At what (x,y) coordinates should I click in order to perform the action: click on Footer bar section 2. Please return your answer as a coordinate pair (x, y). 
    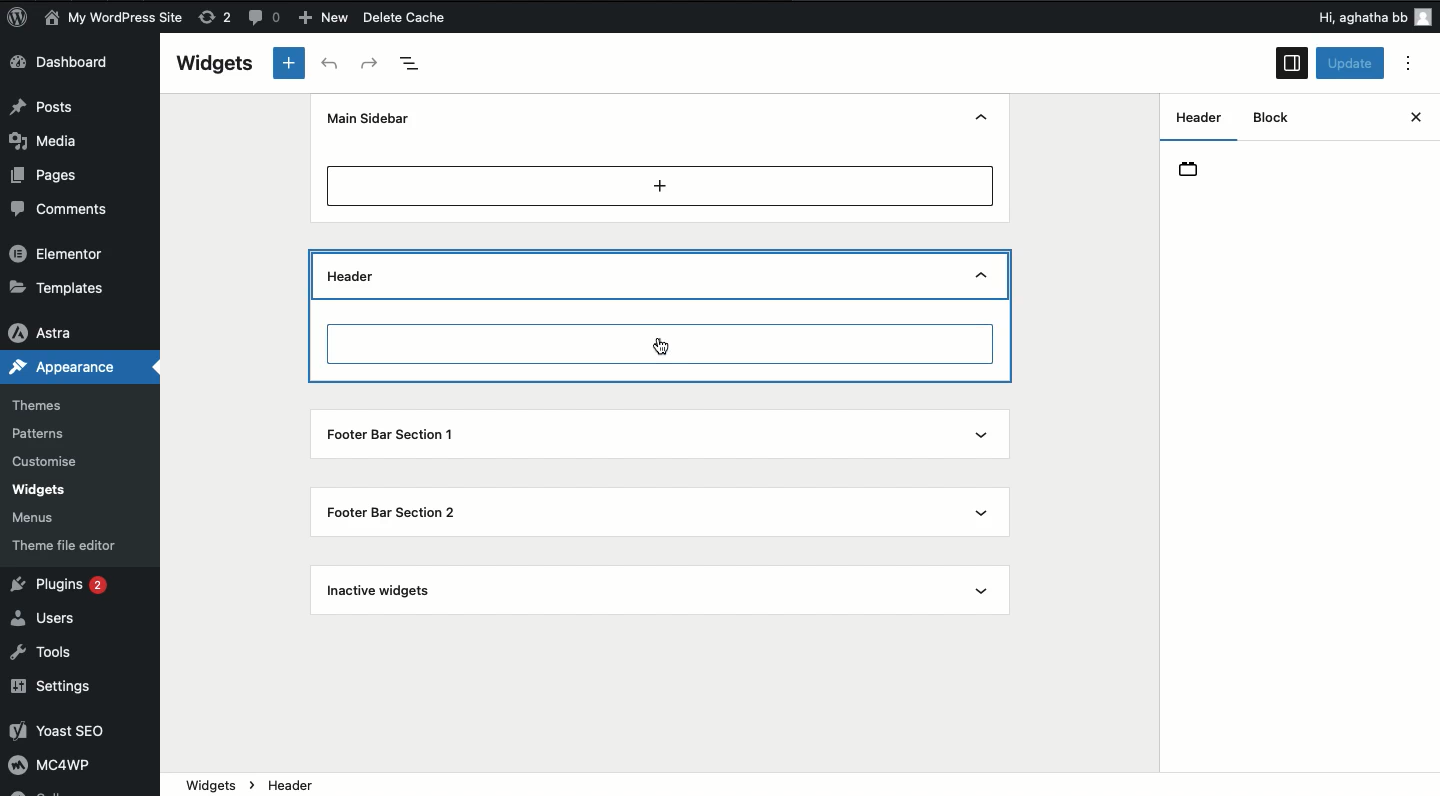
    Looking at the image, I should click on (391, 512).